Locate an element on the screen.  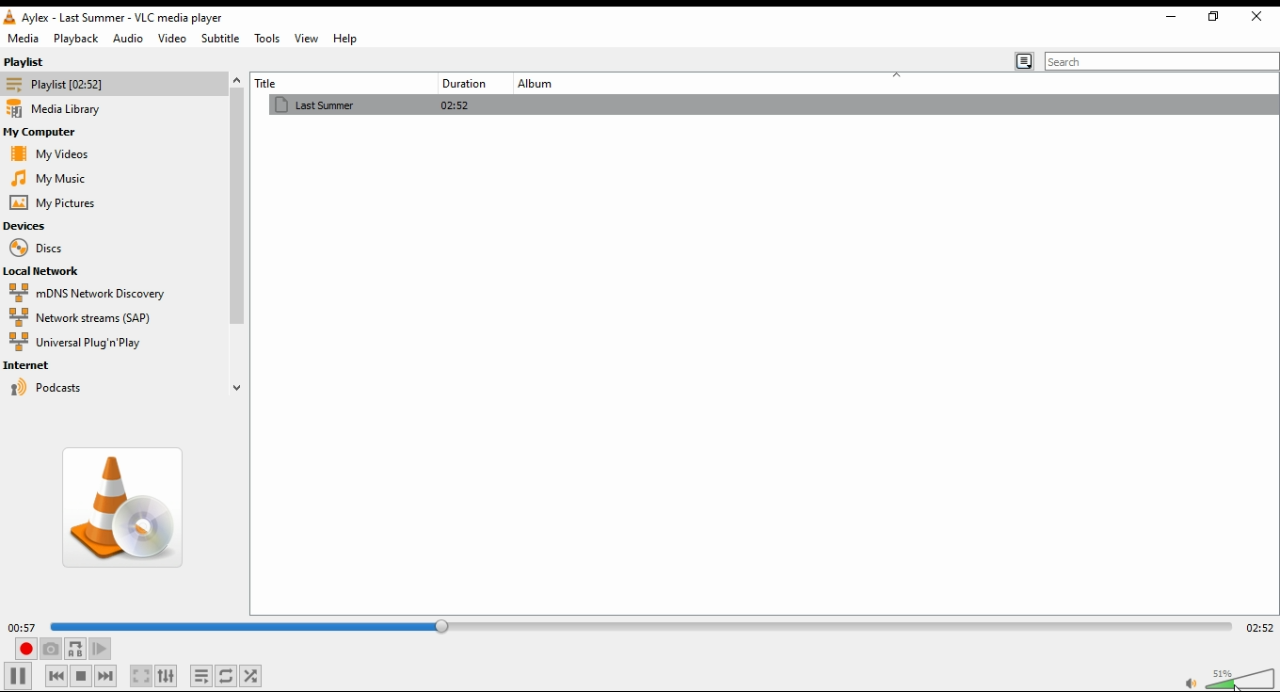
minimize is located at coordinates (1169, 15).